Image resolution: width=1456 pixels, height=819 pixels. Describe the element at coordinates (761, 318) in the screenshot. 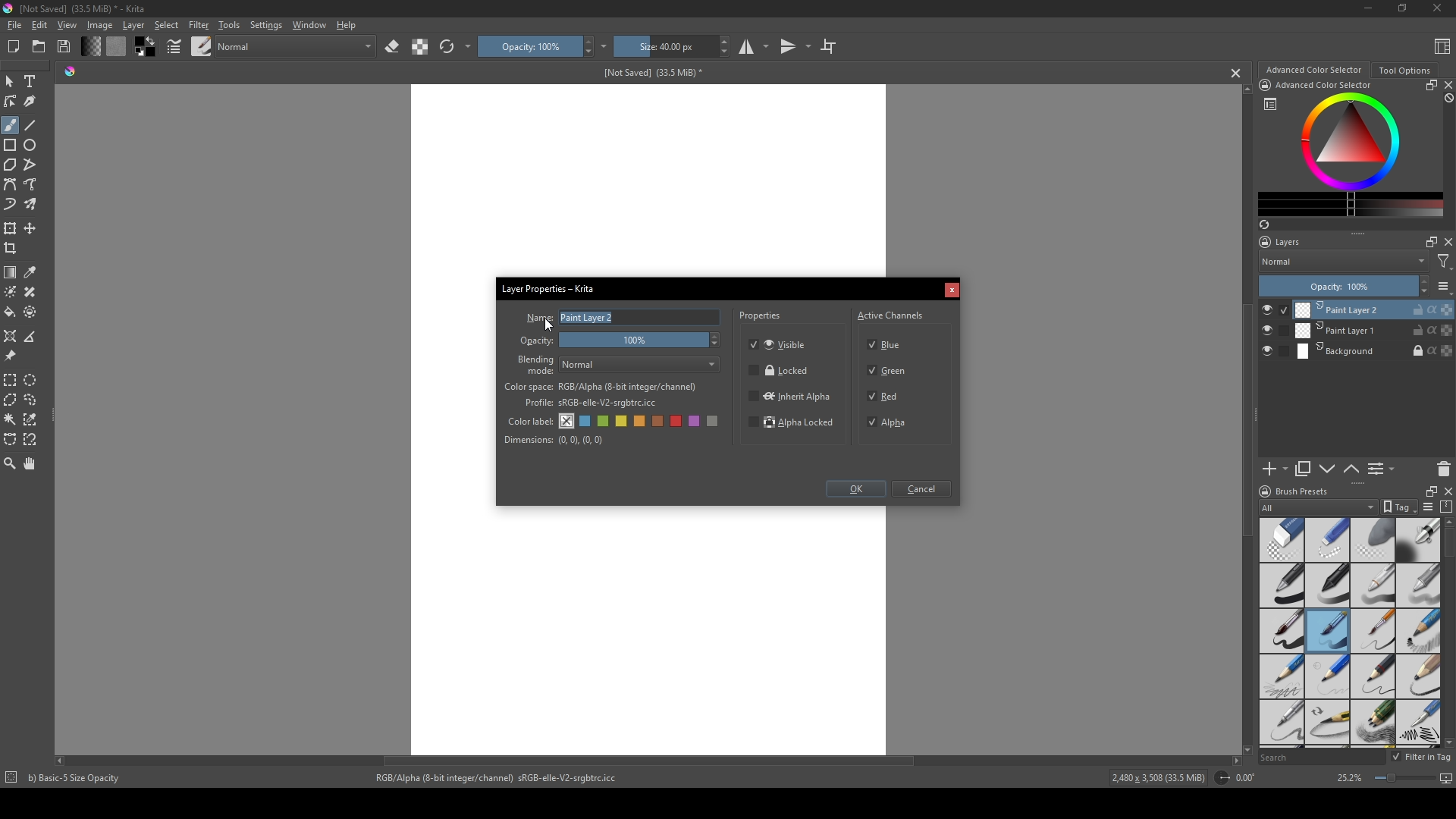

I see `properties` at that location.